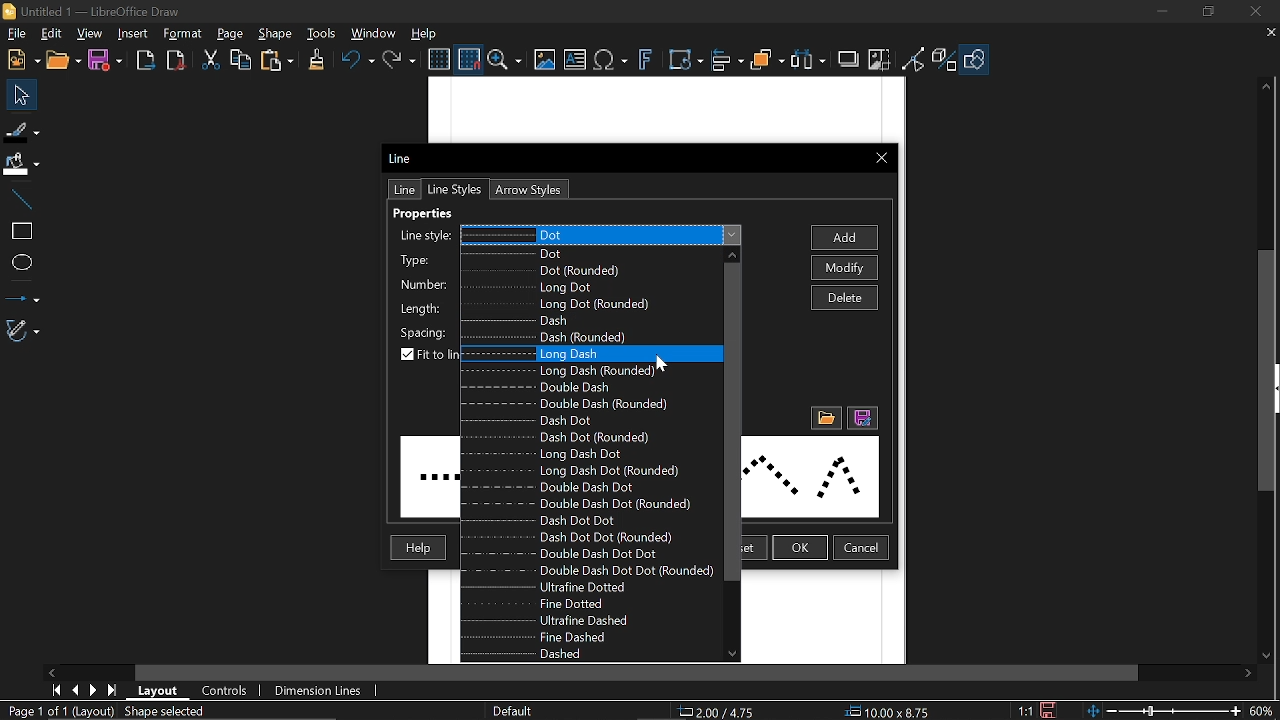 The width and height of the screenshot is (1280, 720). I want to click on dotted lines, so click(809, 477).